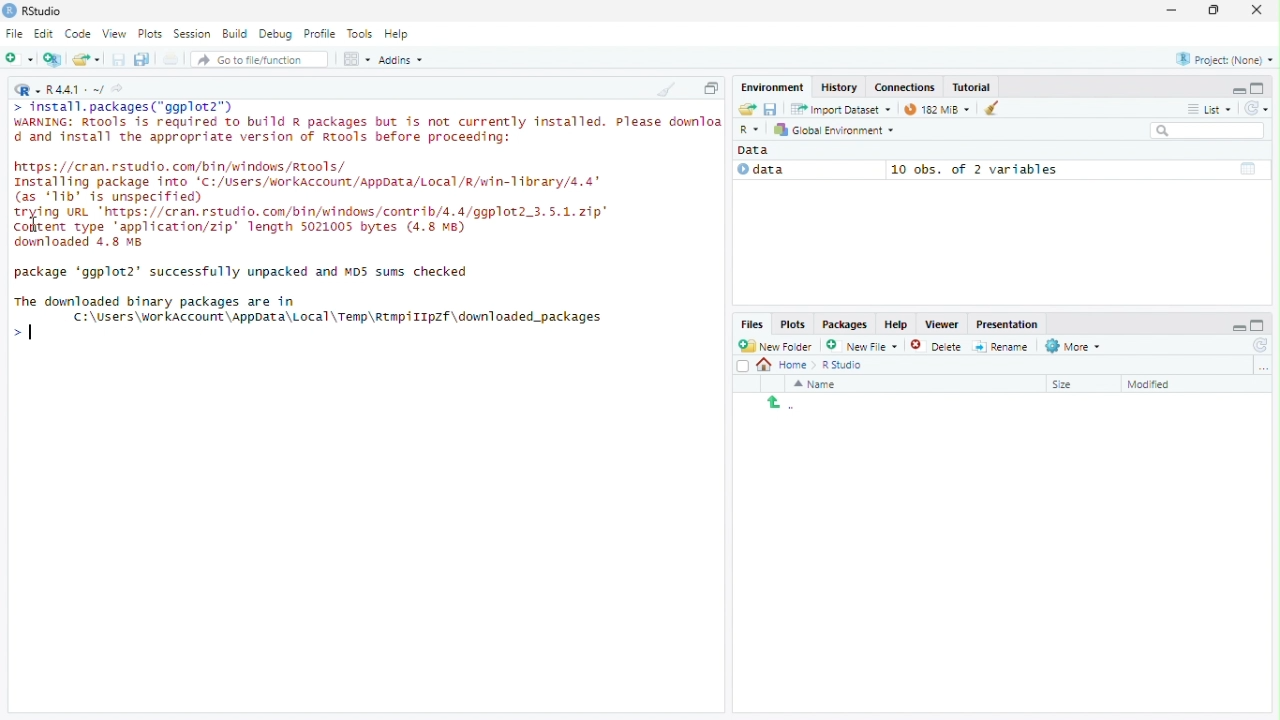 The height and width of the screenshot is (720, 1280). Describe the element at coordinates (784, 366) in the screenshot. I see `Home` at that location.